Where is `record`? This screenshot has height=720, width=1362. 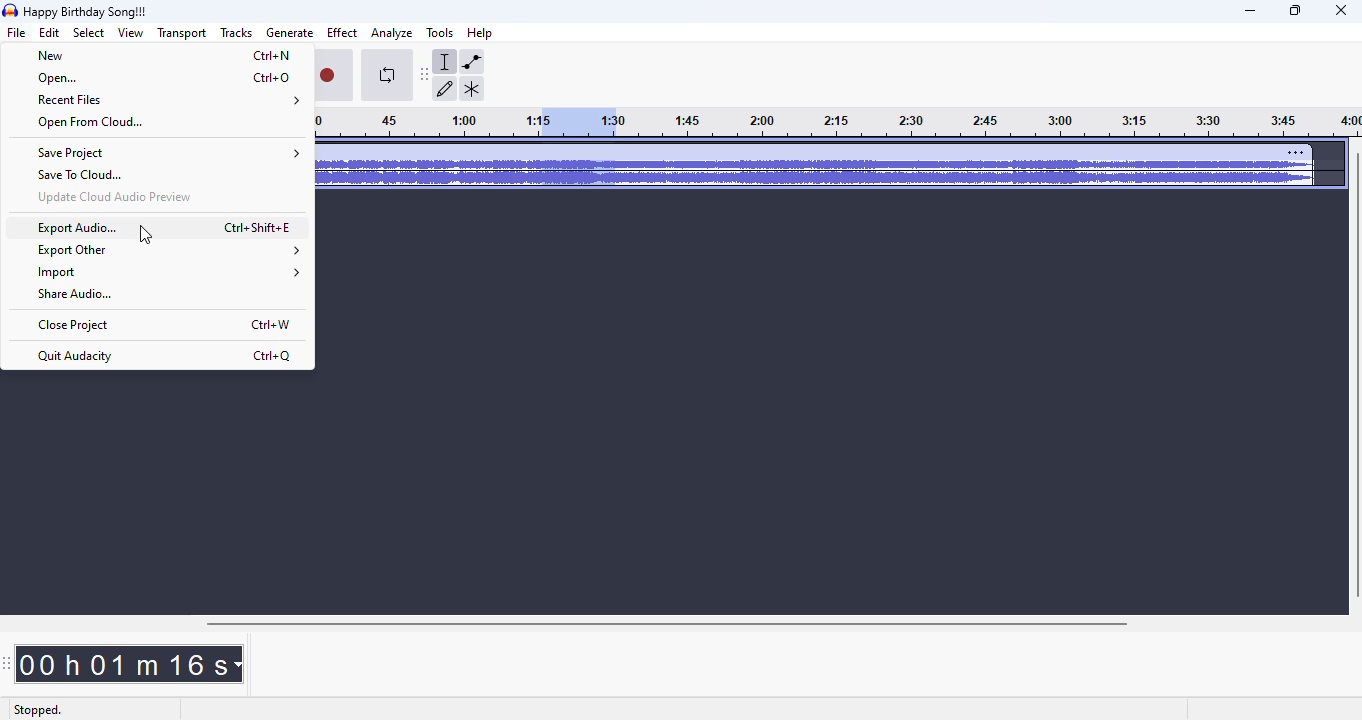
record is located at coordinates (328, 77).